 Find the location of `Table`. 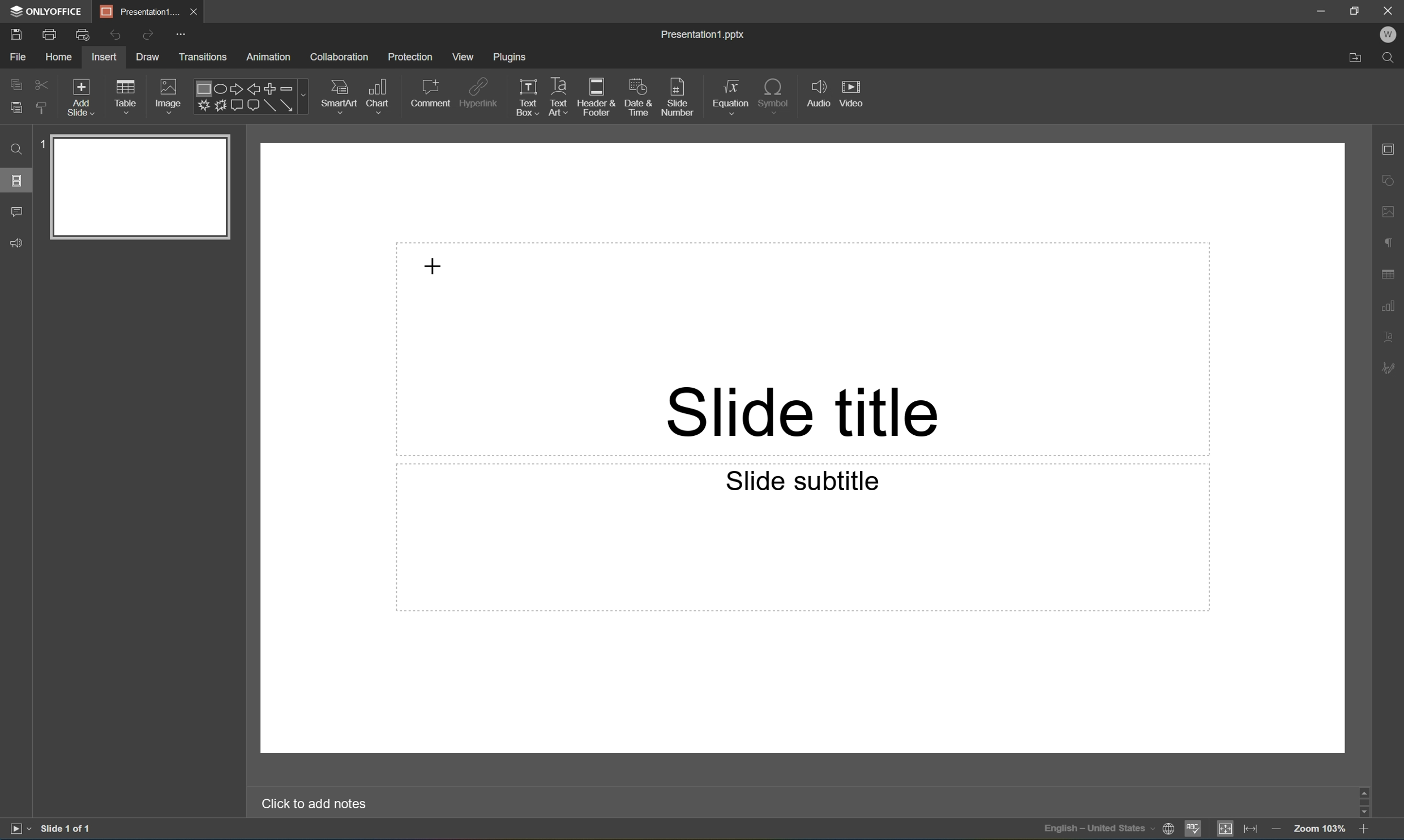

Table is located at coordinates (126, 96).